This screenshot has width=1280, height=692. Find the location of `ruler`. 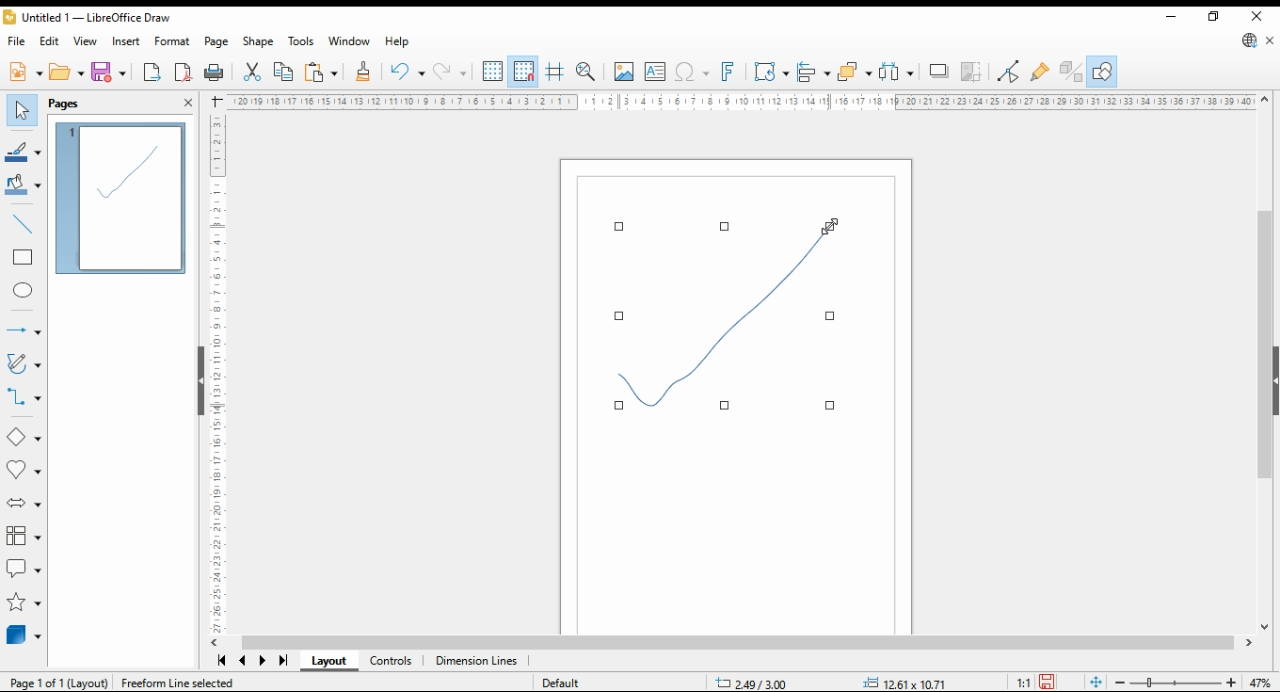

ruler is located at coordinates (739, 101).